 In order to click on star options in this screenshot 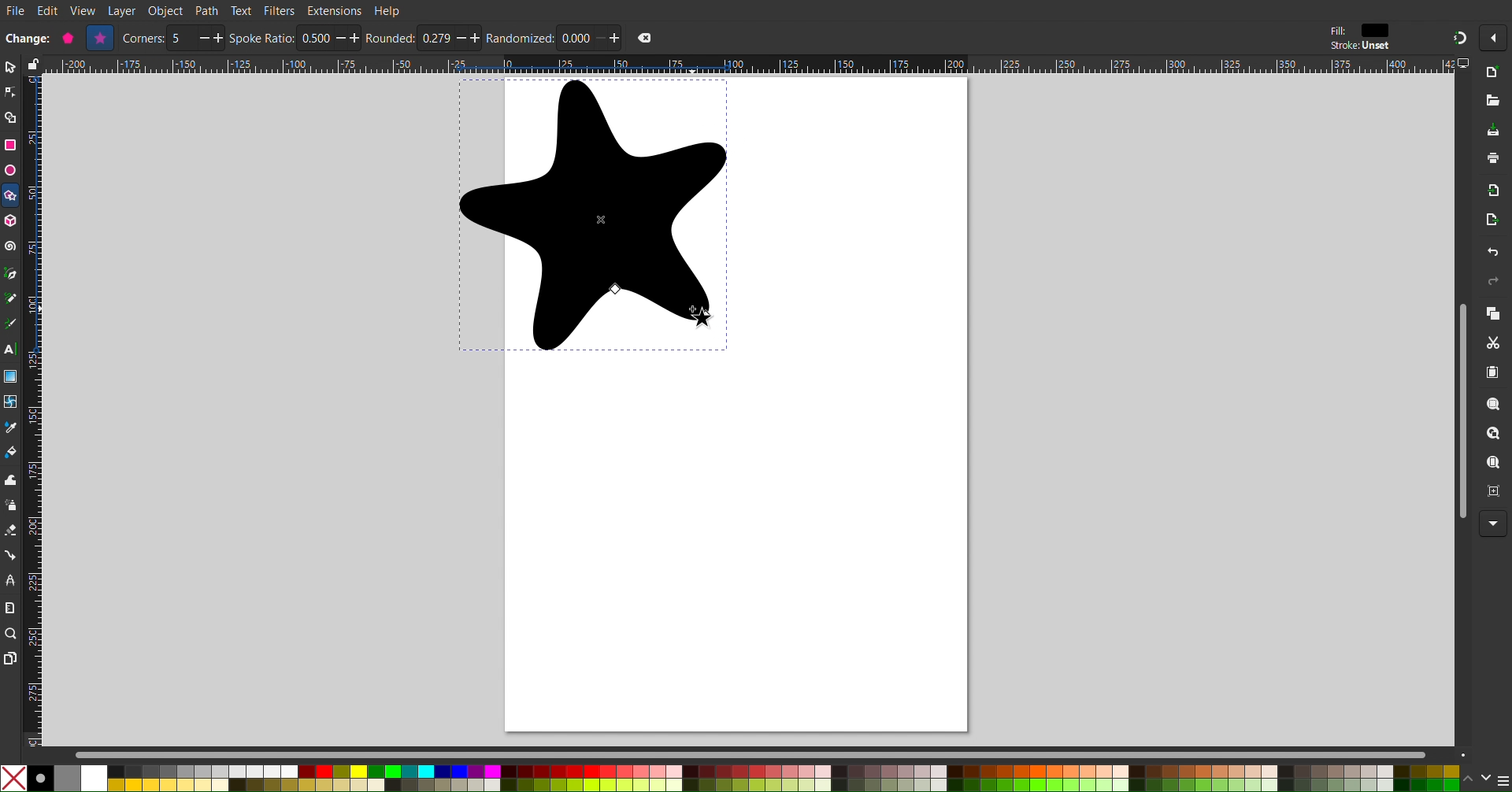, I will do `click(69, 38)`.